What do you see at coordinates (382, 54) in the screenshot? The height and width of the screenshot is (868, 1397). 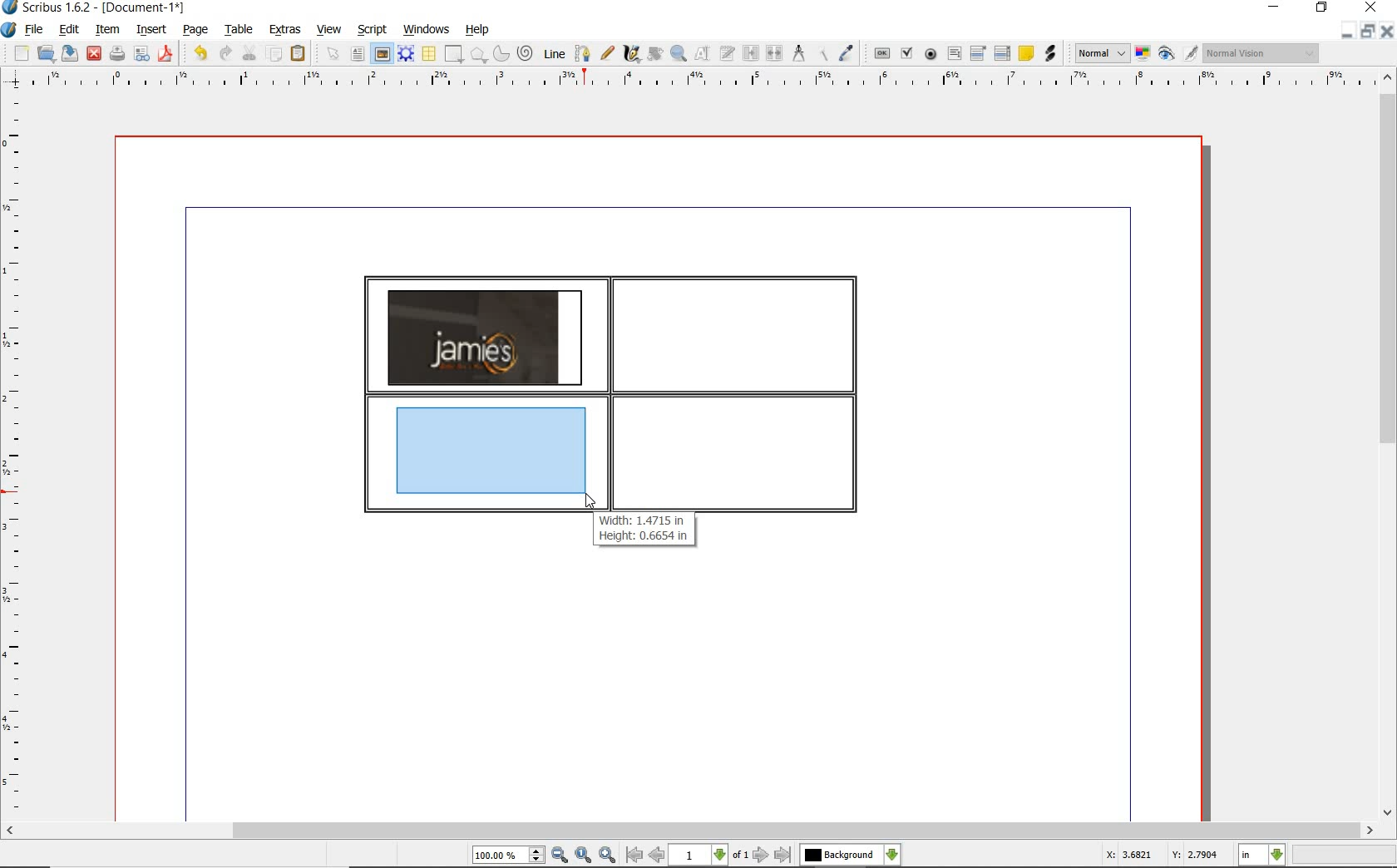 I see `image` at bounding box center [382, 54].